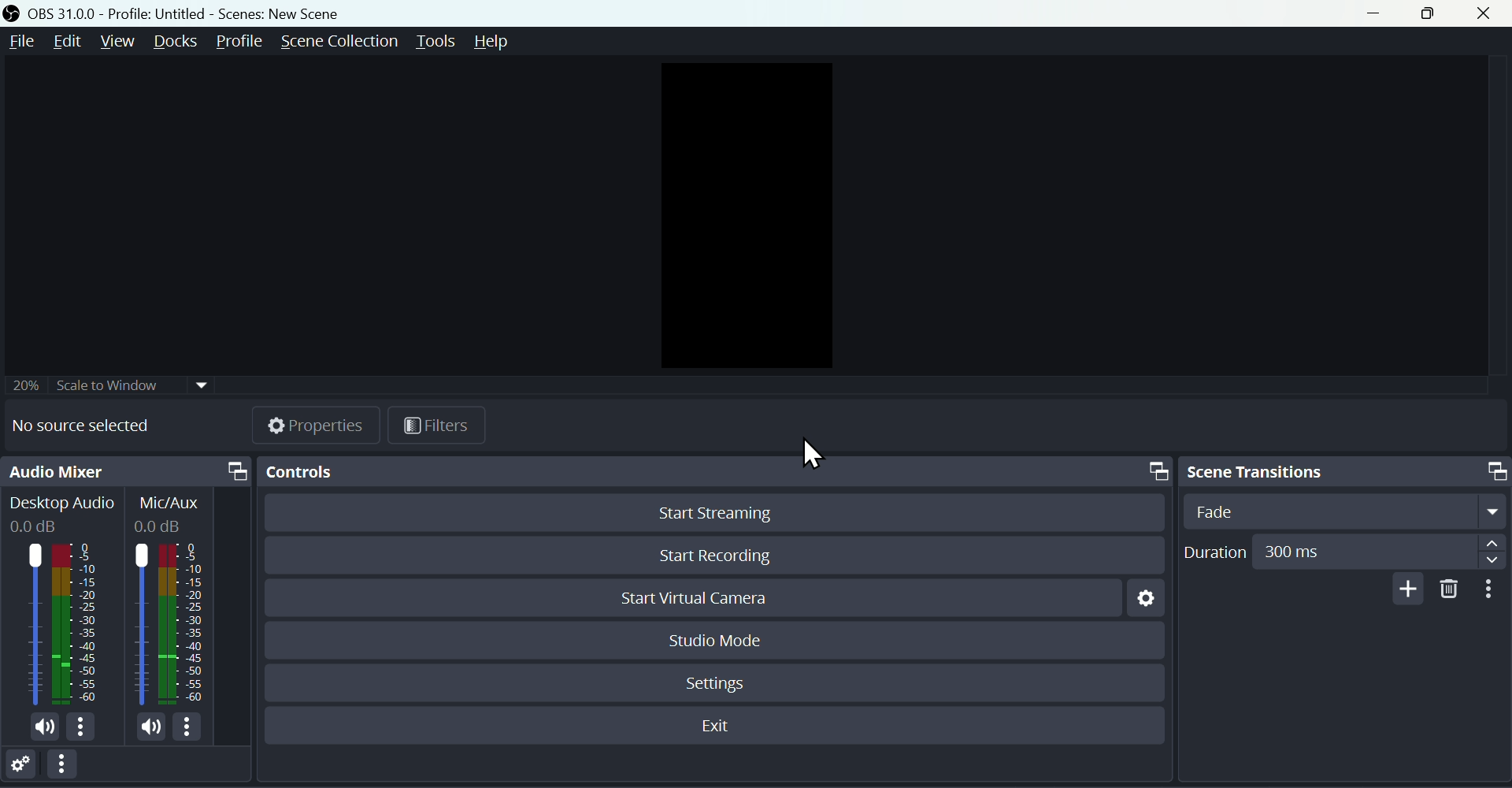  What do you see at coordinates (127, 473) in the screenshot?
I see `Audio mixer` at bounding box center [127, 473].